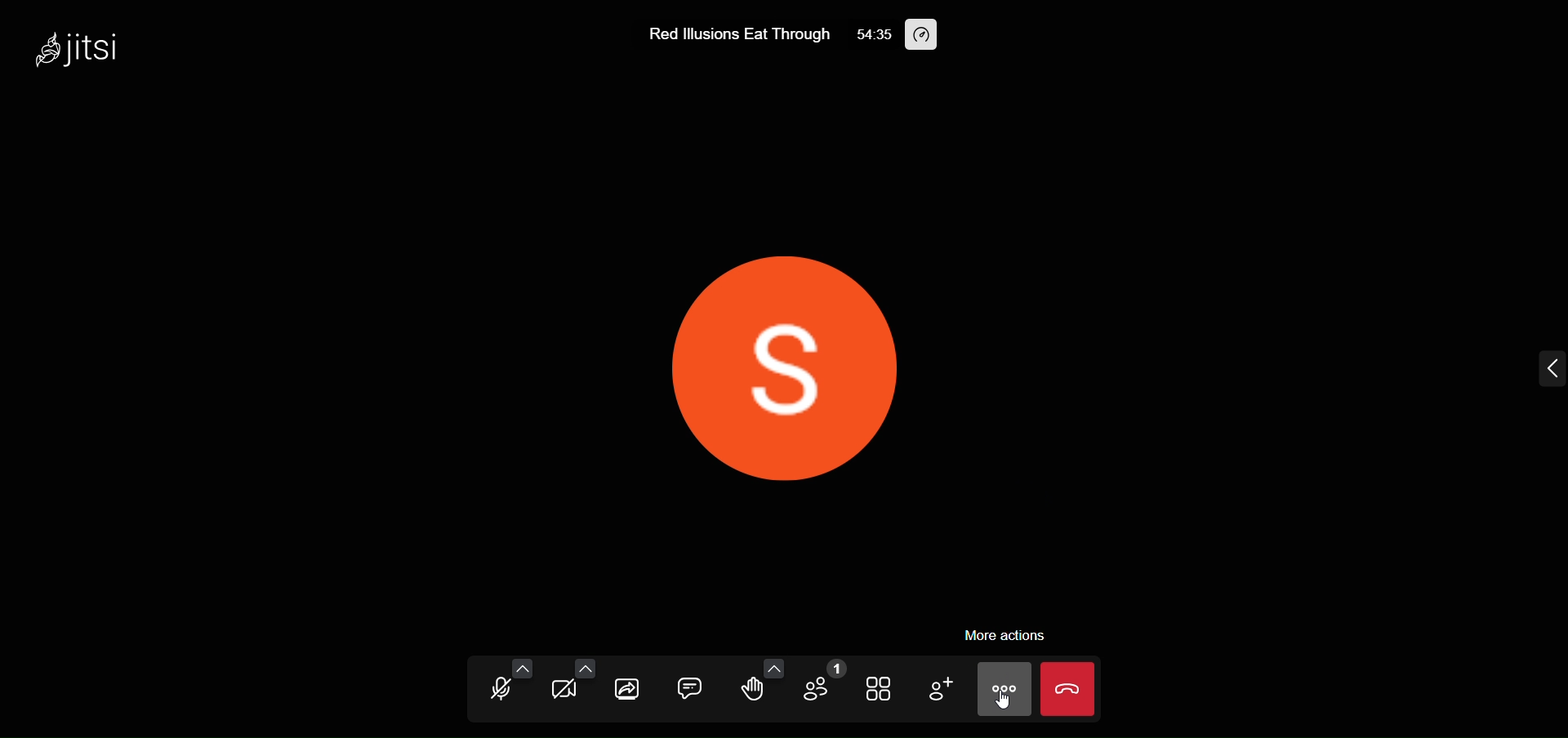 This screenshot has width=1568, height=738. Describe the element at coordinates (733, 38) in the screenshot. I see `Red lllusions Eat Through` at that location.